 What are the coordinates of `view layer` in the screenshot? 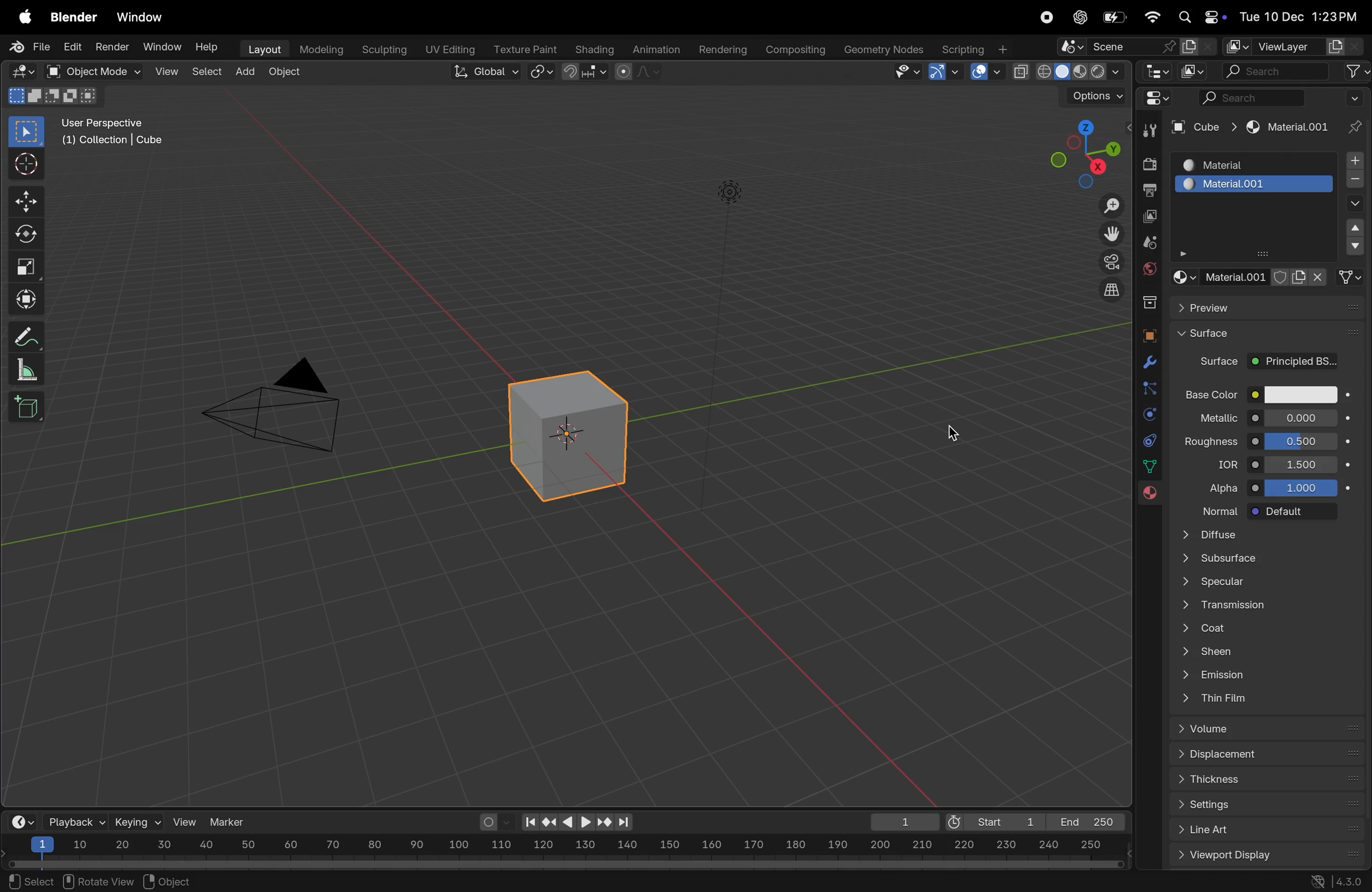 It's located at (1151, 217).